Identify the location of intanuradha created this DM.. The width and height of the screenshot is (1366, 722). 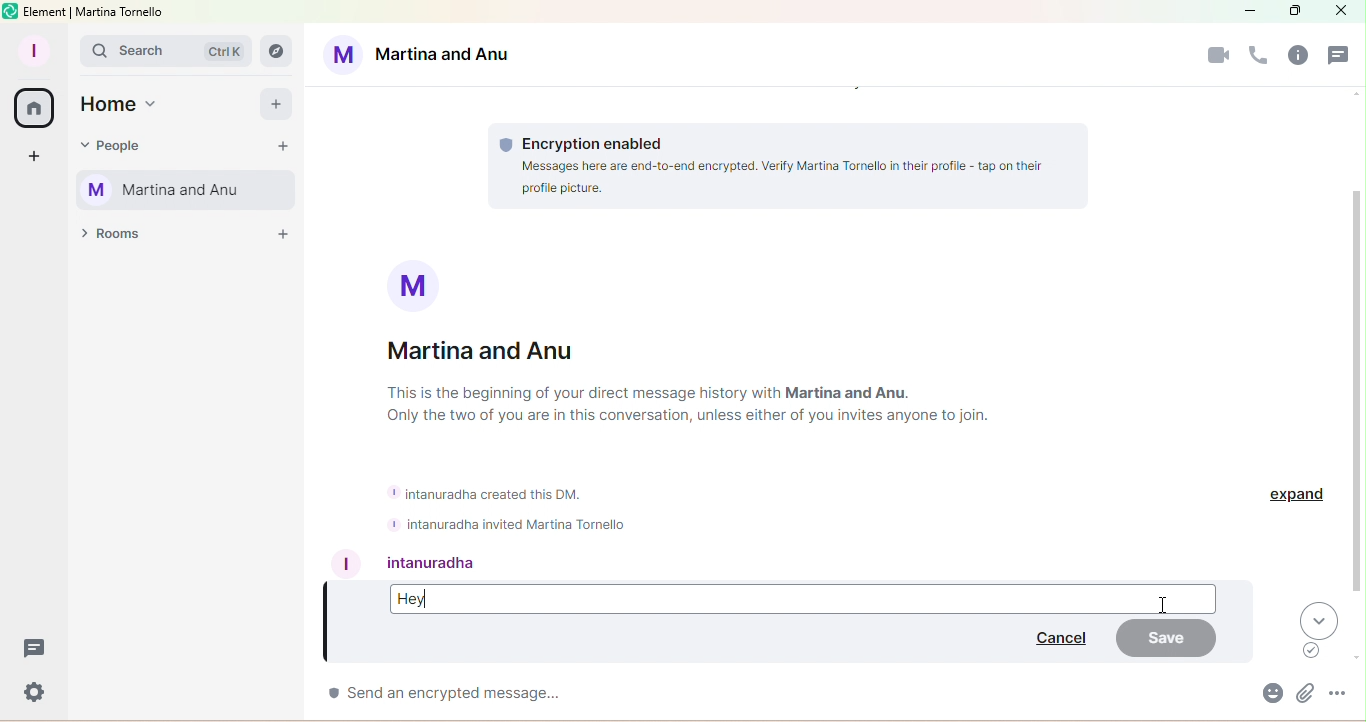
(492, 494).